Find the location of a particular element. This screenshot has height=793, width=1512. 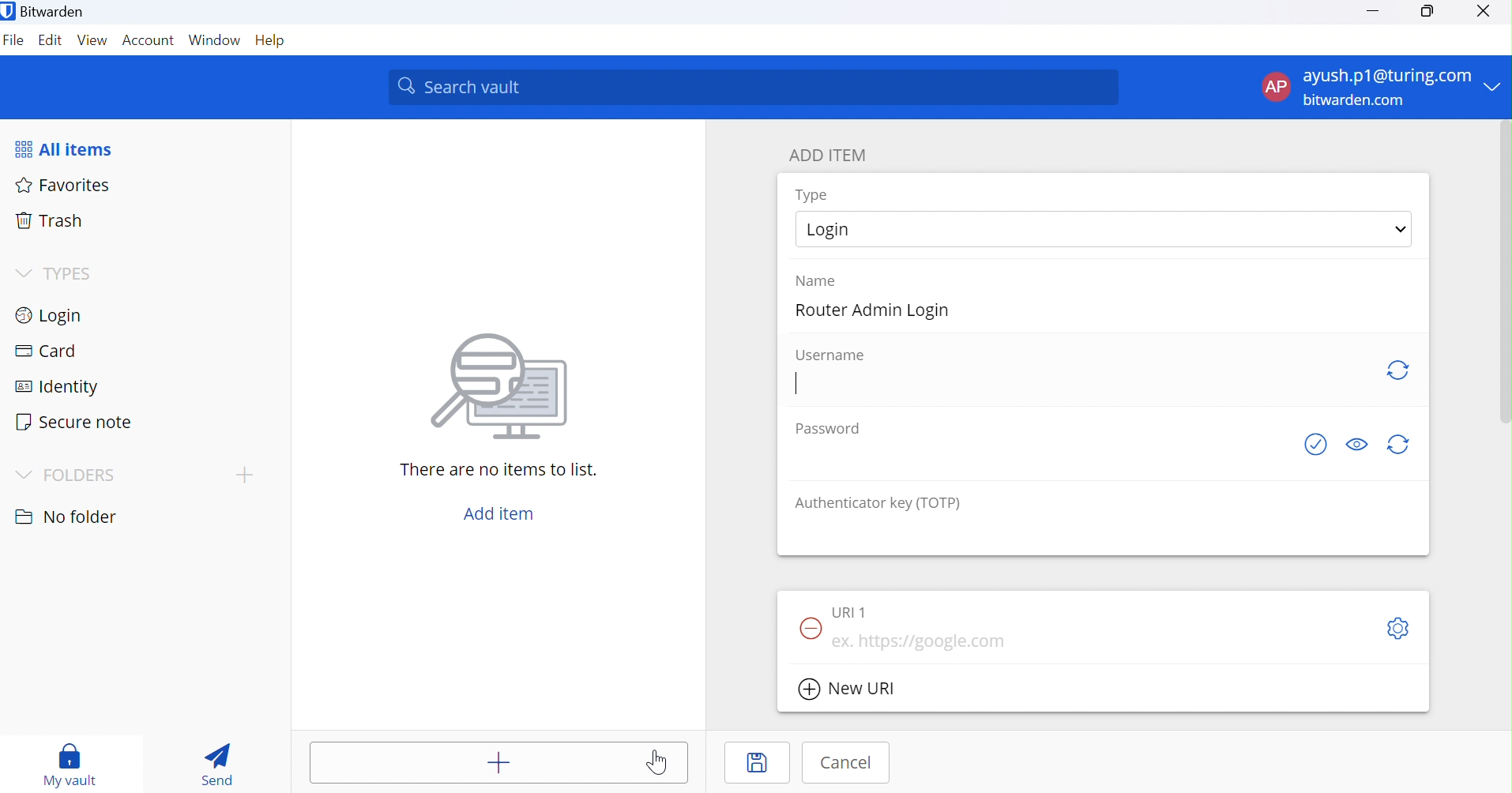

TYPES is located at coordinates (54, 274).